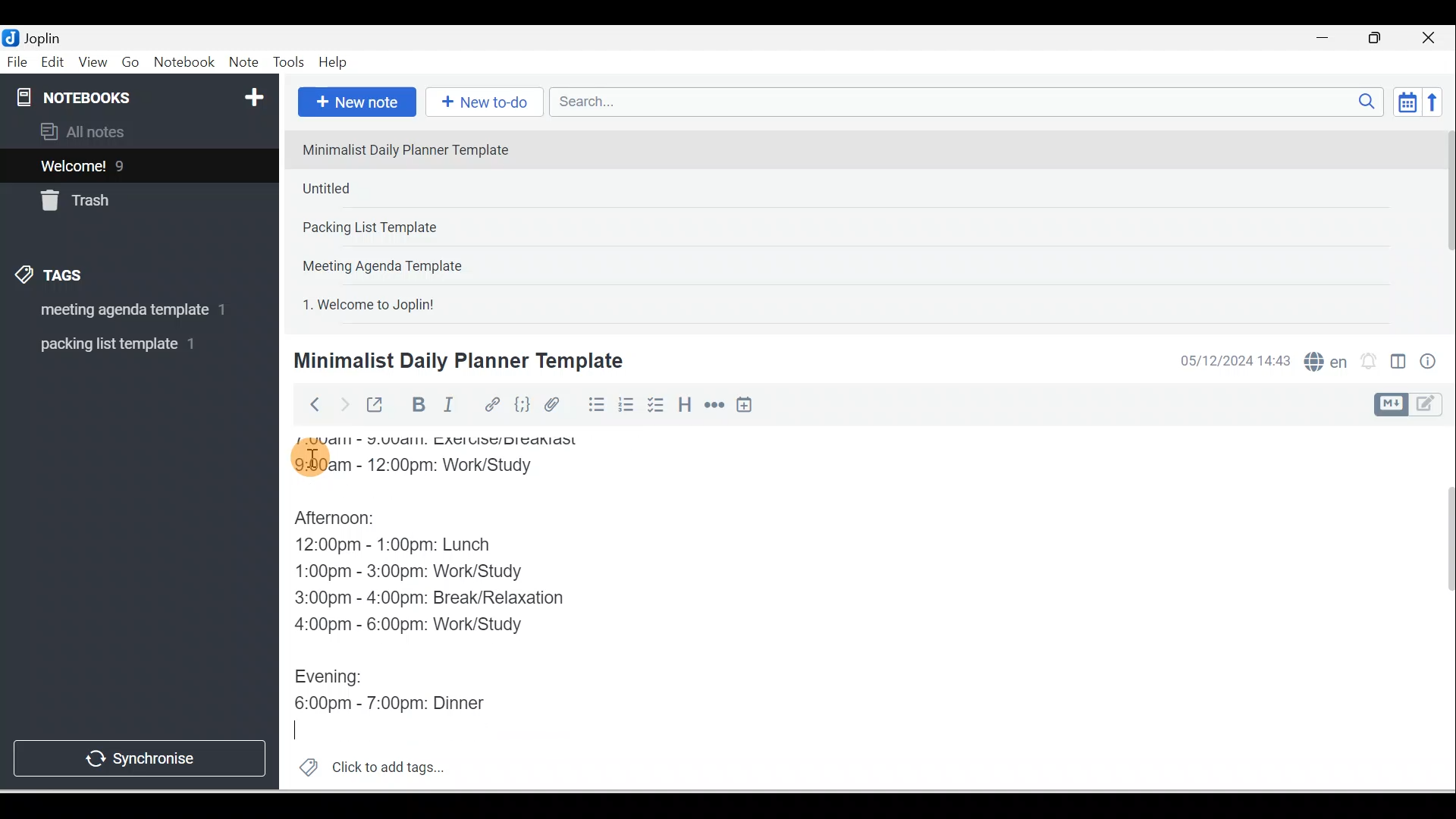 Image resolution: width=1456 pixels, height=819 pixels. Describe the element at coordinates (418, 228) in the screenshot. I see `Note 3` at that location.